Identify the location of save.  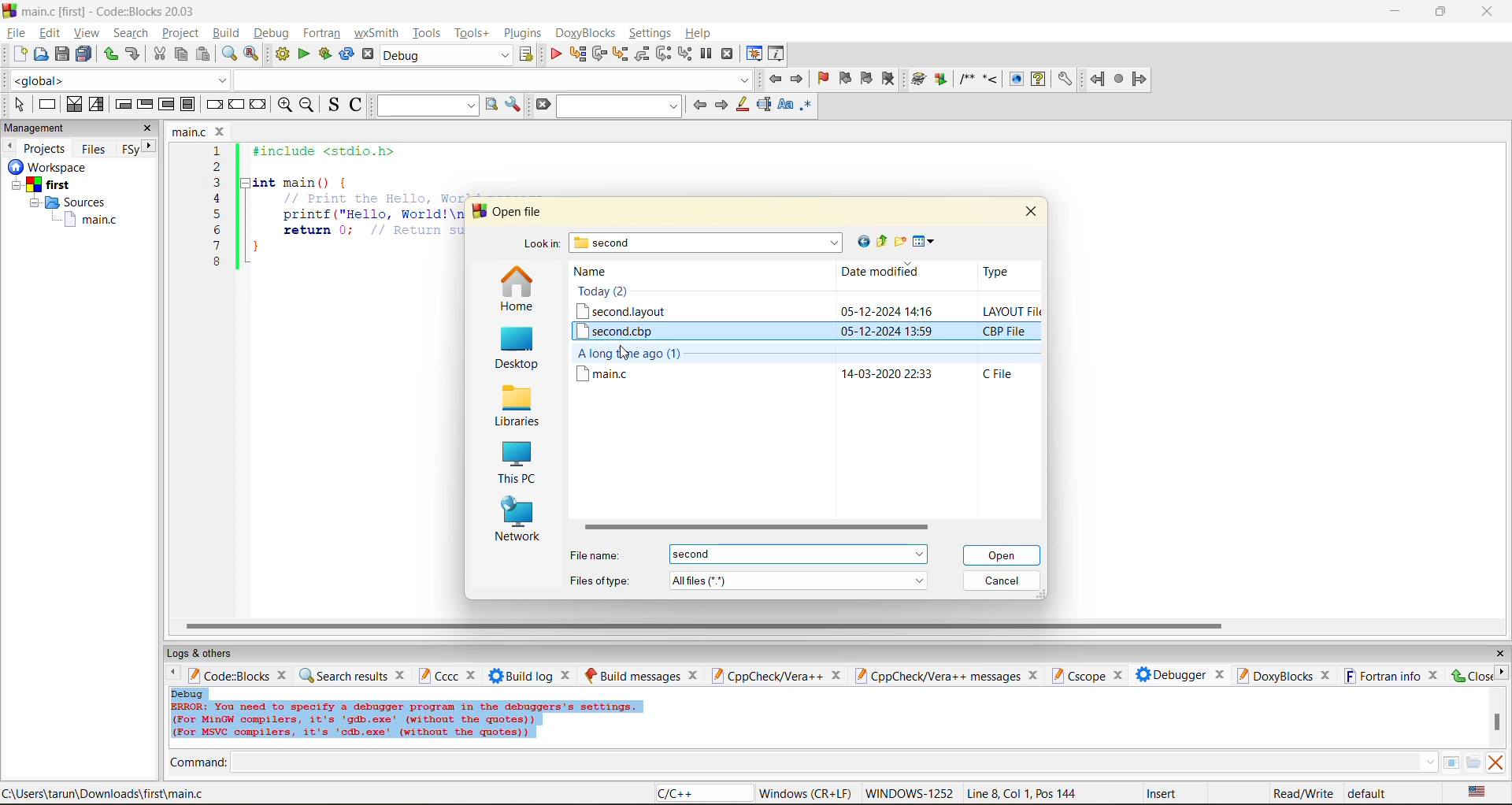
(63, 54).